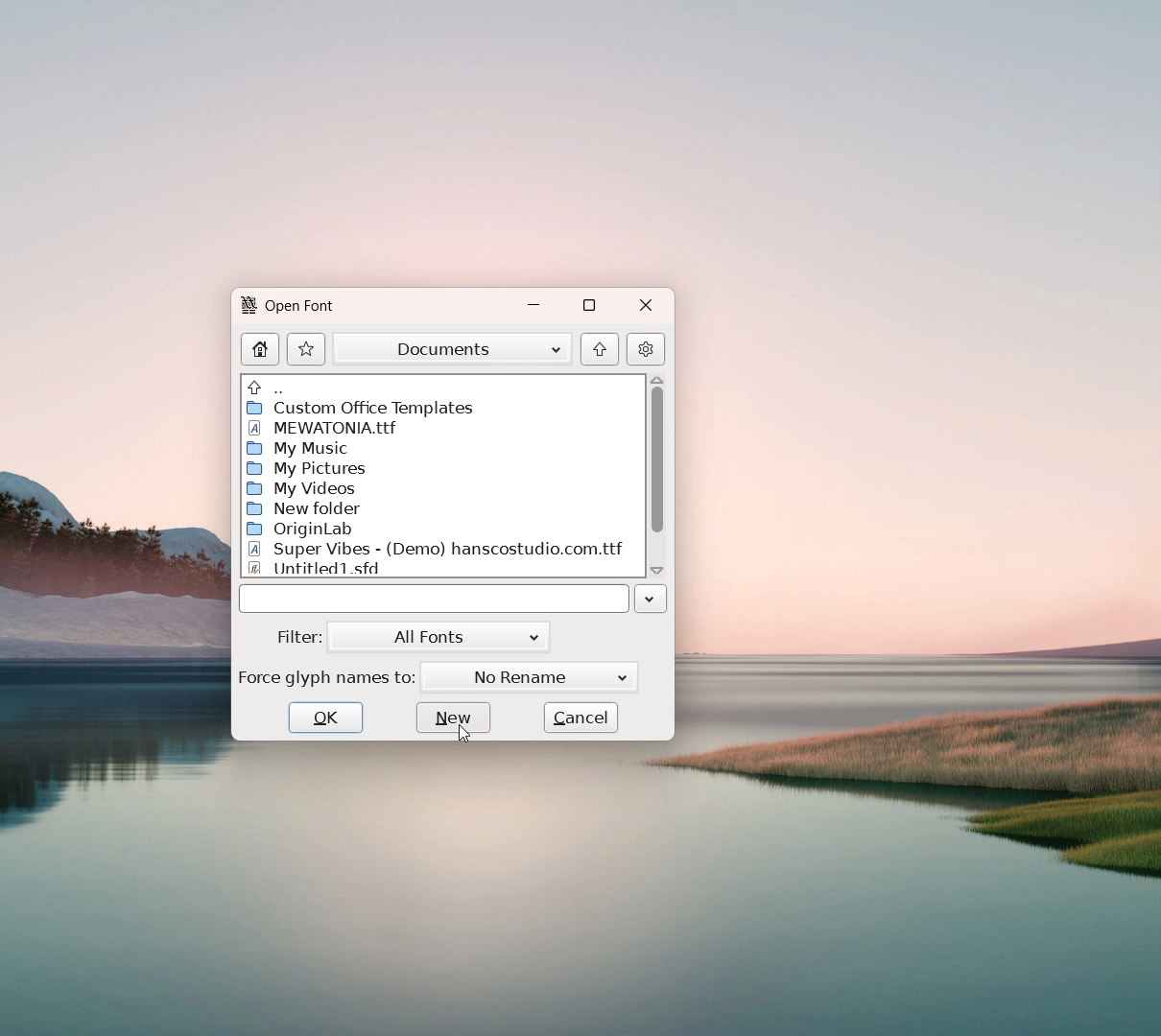 Image resolution: width=1161 pixels, height=1036 pixels. What do you see at coordinates (303, 306) in the screenshot?
I see `Open Font` at bounding box center [303, 306].